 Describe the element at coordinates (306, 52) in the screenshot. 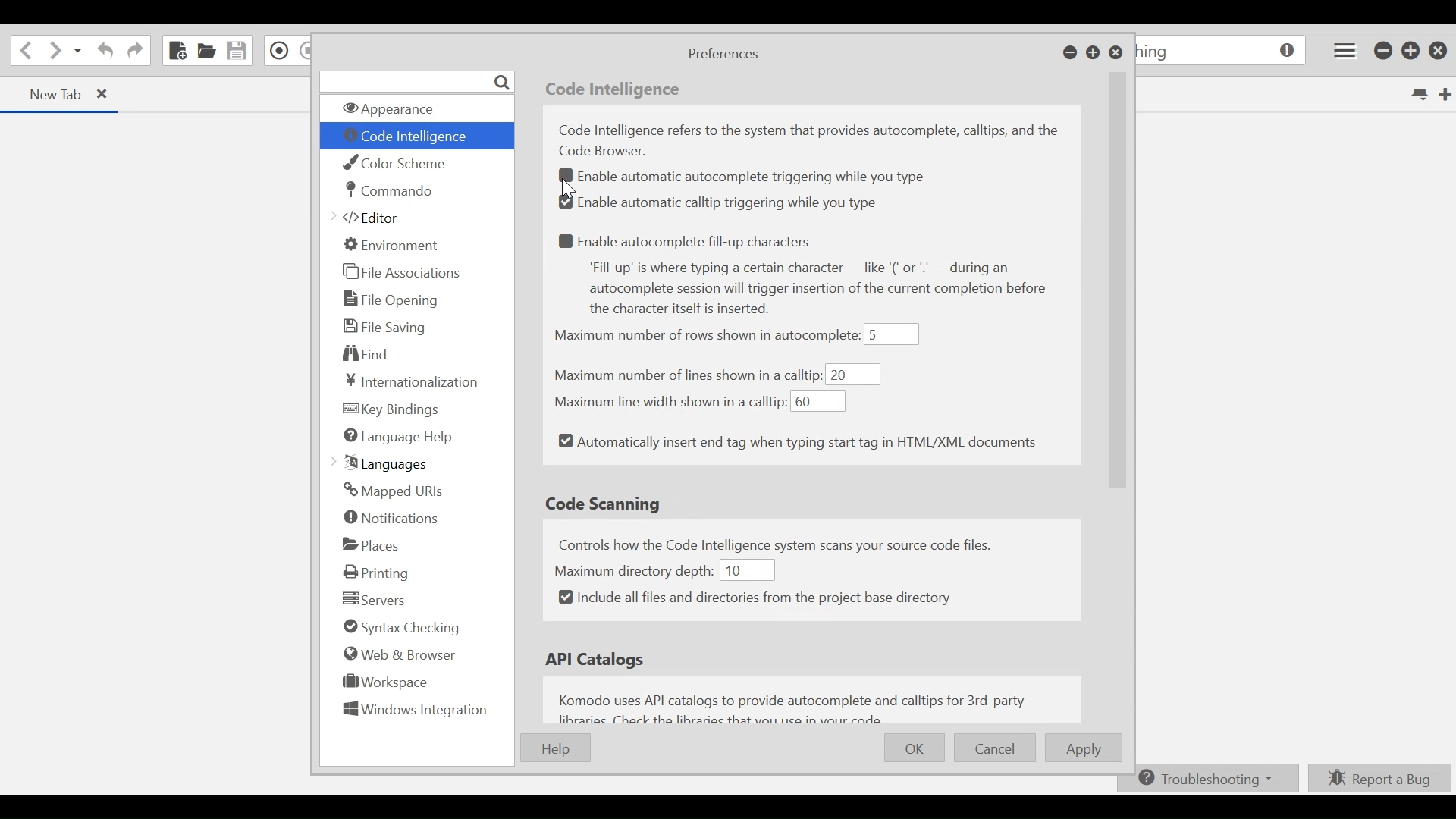

I see `Stop Recording ` at that location.